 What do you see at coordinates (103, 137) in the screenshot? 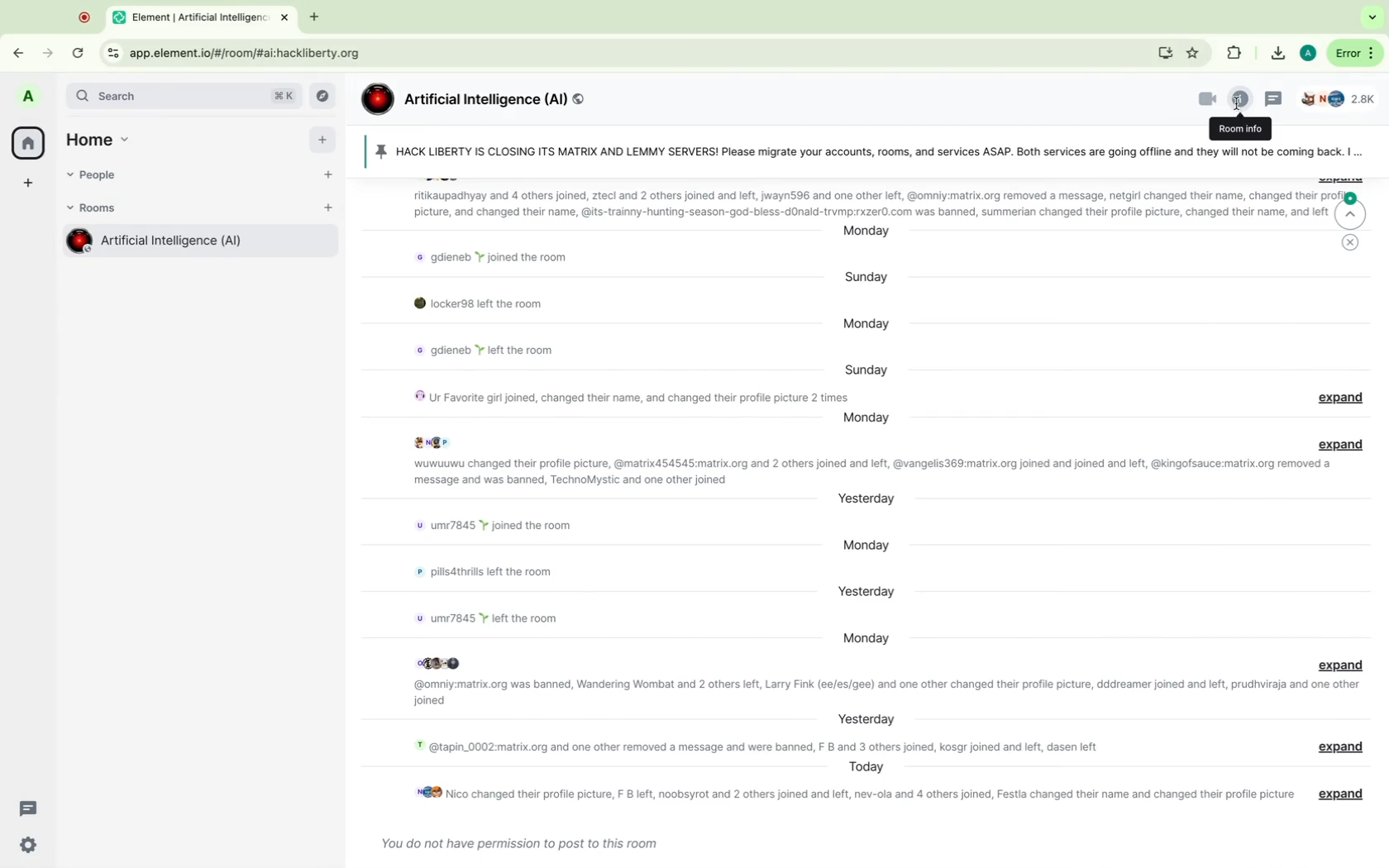
I see `home` at bounding box center [103, 137].